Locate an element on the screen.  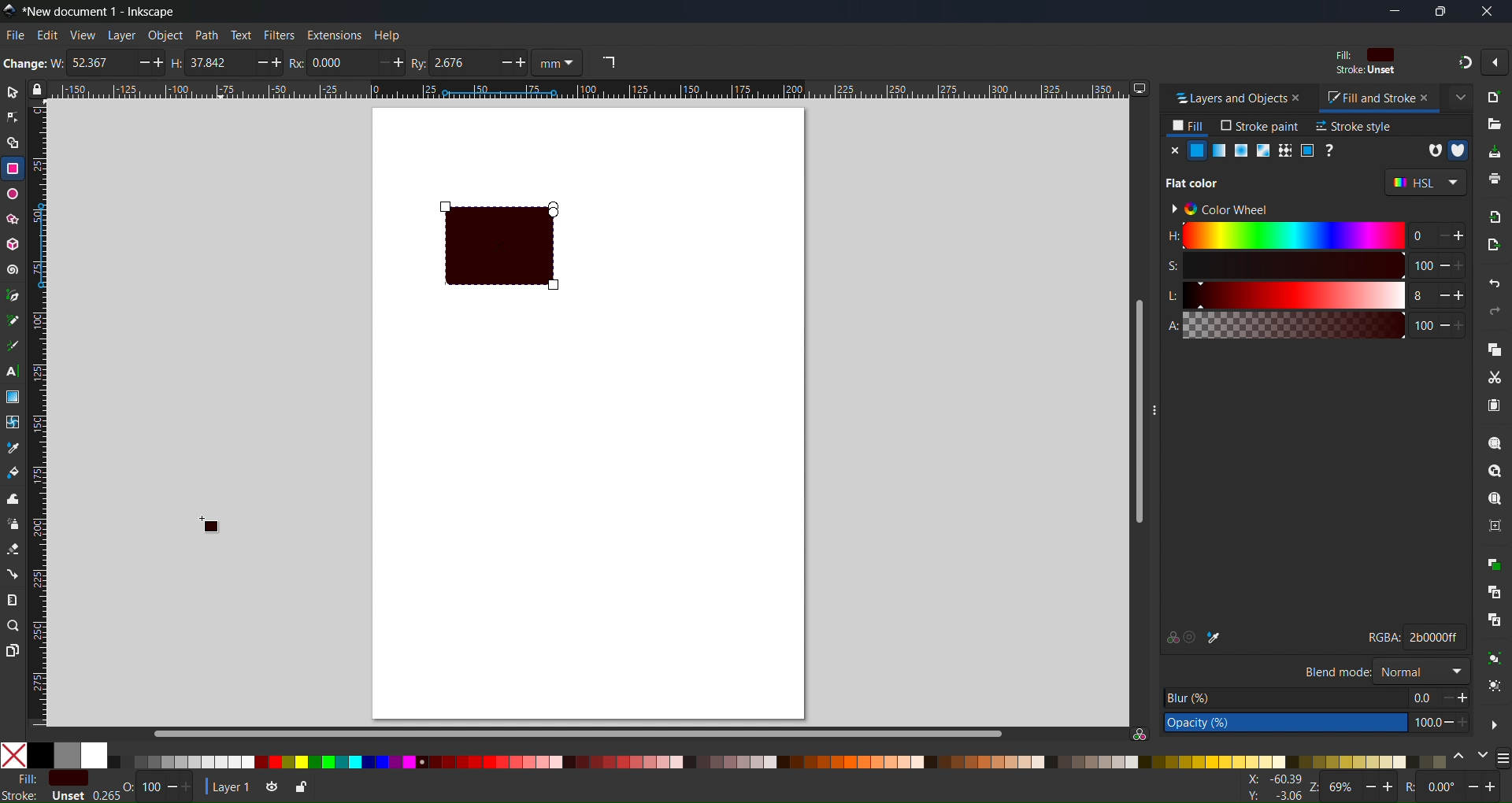
Maximize opacity is located at coordinates (193, 787).